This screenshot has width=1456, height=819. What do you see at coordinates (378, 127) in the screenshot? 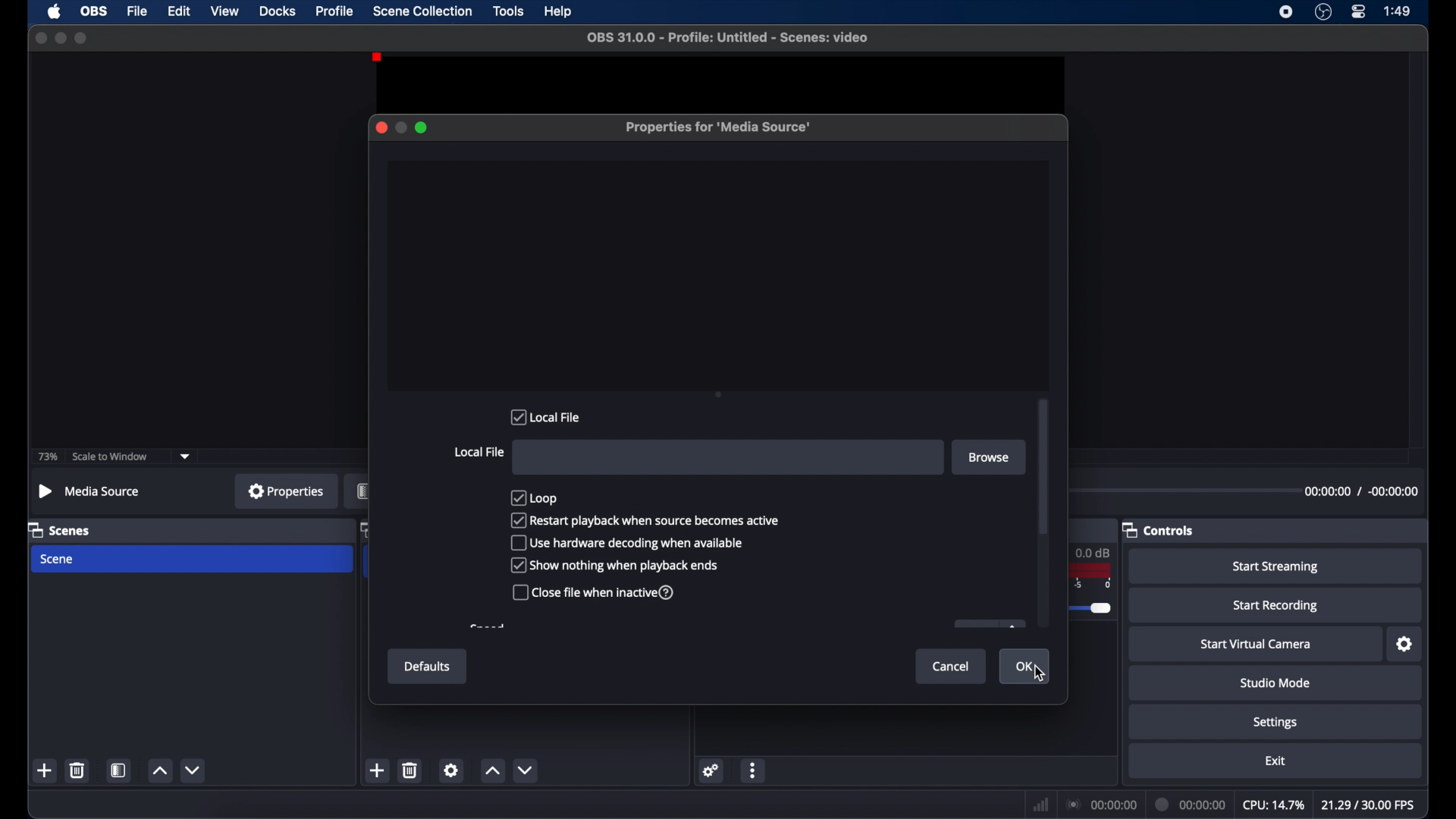
I see `close` at bounding box center [378, 127].